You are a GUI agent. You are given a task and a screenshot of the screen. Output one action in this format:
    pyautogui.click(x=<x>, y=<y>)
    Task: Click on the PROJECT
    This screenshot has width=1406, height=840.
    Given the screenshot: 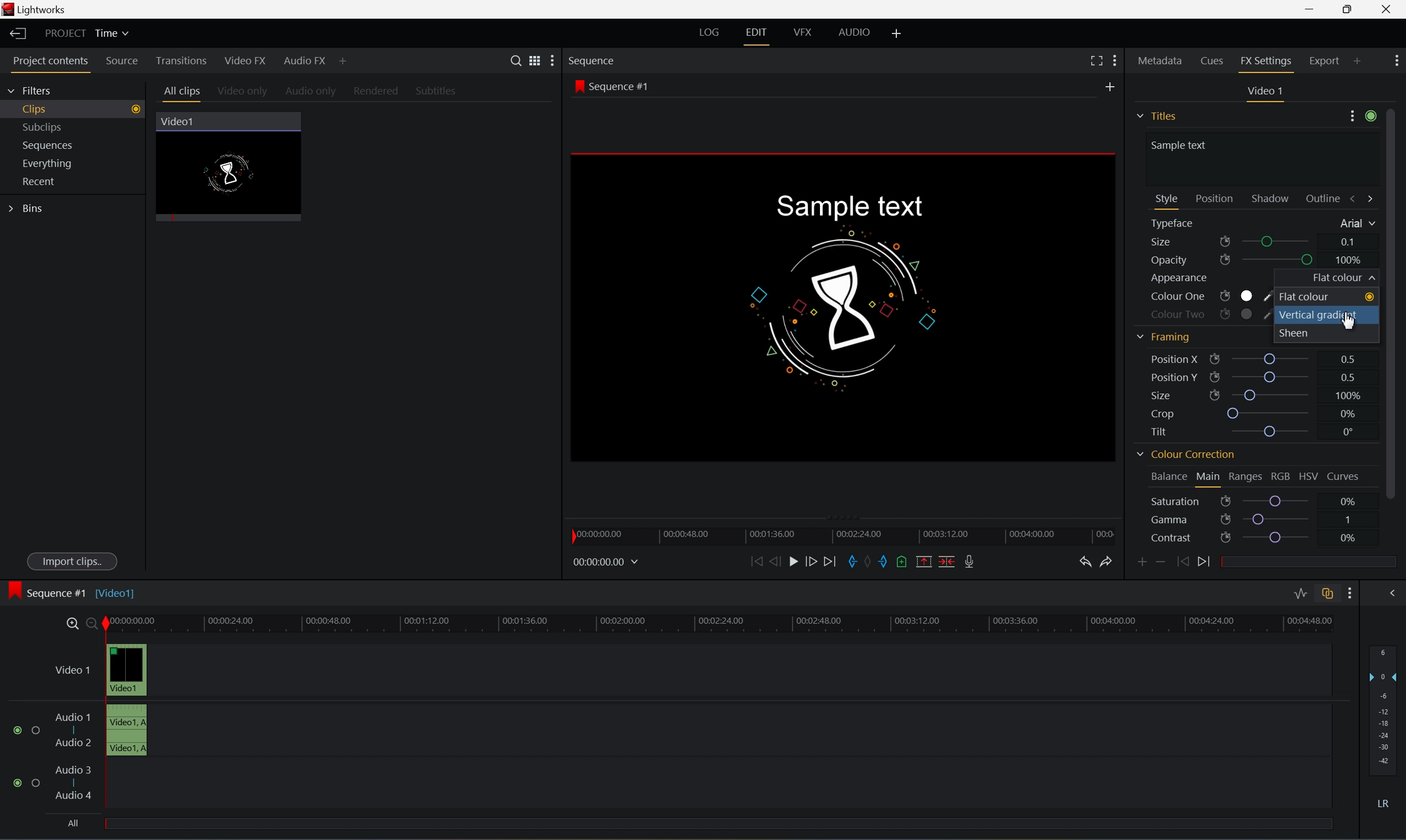 What is the action you would take?
    pyautogui.click(x=67, y=33)
    